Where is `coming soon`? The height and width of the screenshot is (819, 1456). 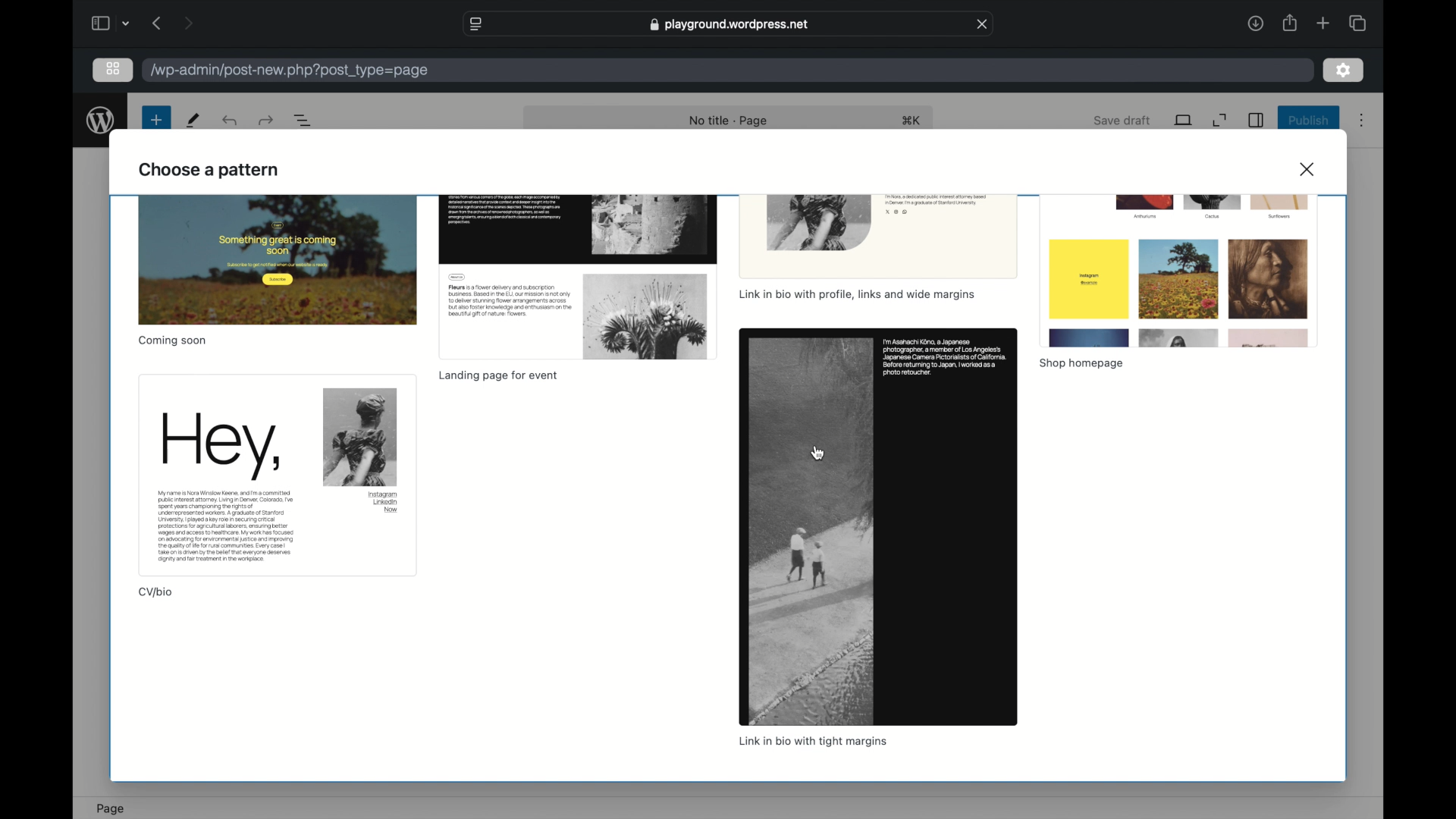 coming soon is located at coordinates (171, 340).